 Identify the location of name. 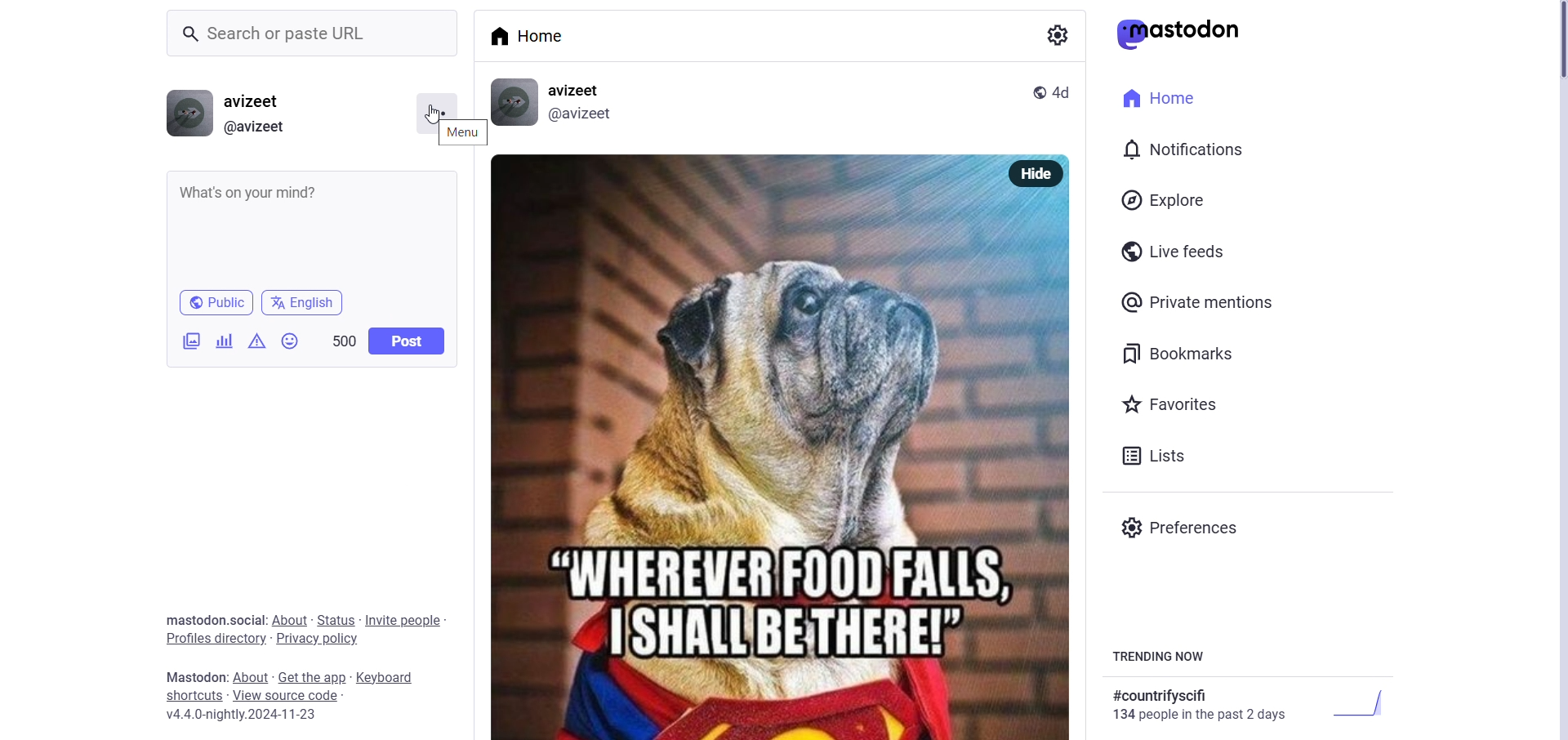
(580, 89).